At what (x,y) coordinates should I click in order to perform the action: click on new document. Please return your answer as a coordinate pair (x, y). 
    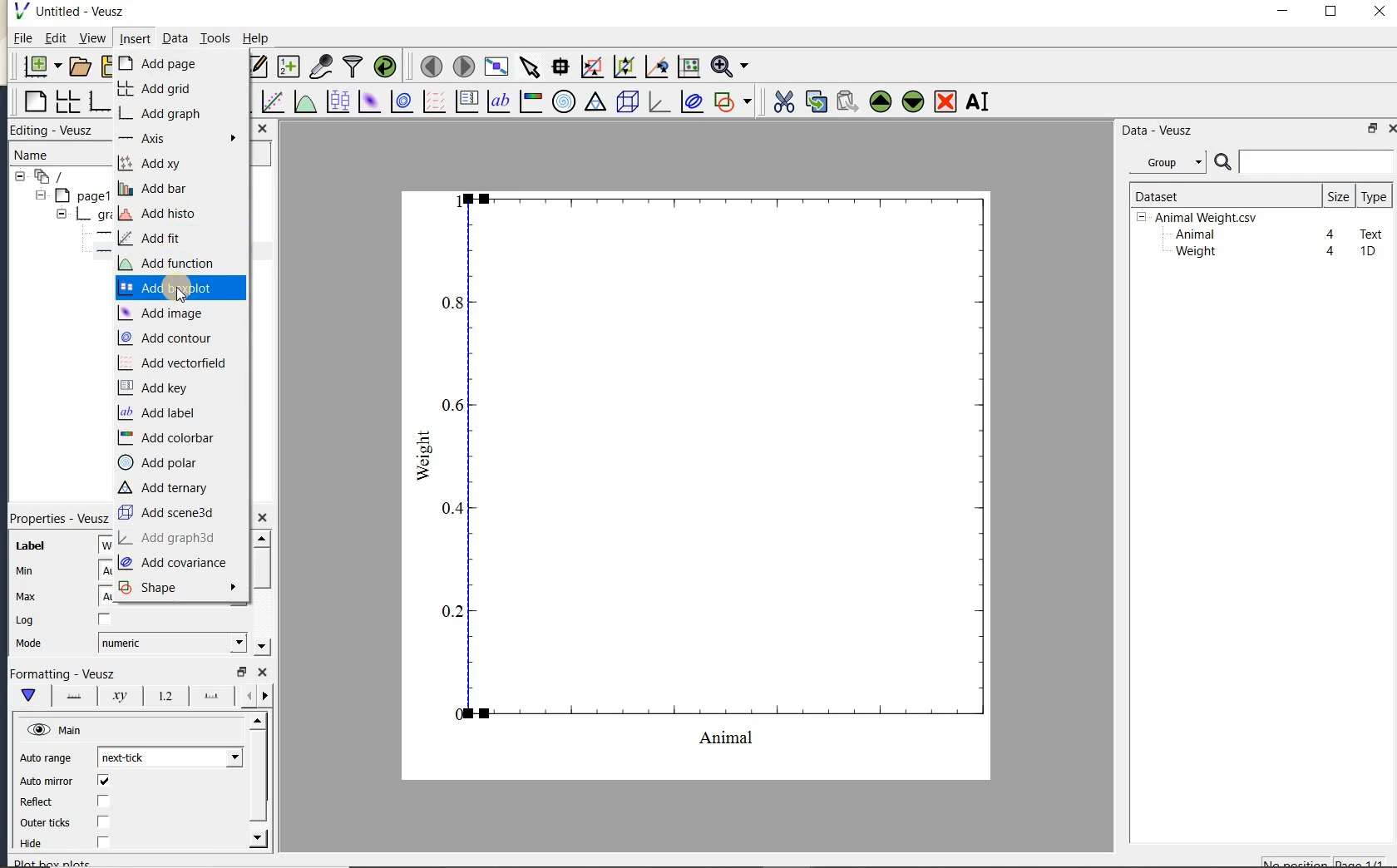
    Looking at the image, I should click on (38, 67).